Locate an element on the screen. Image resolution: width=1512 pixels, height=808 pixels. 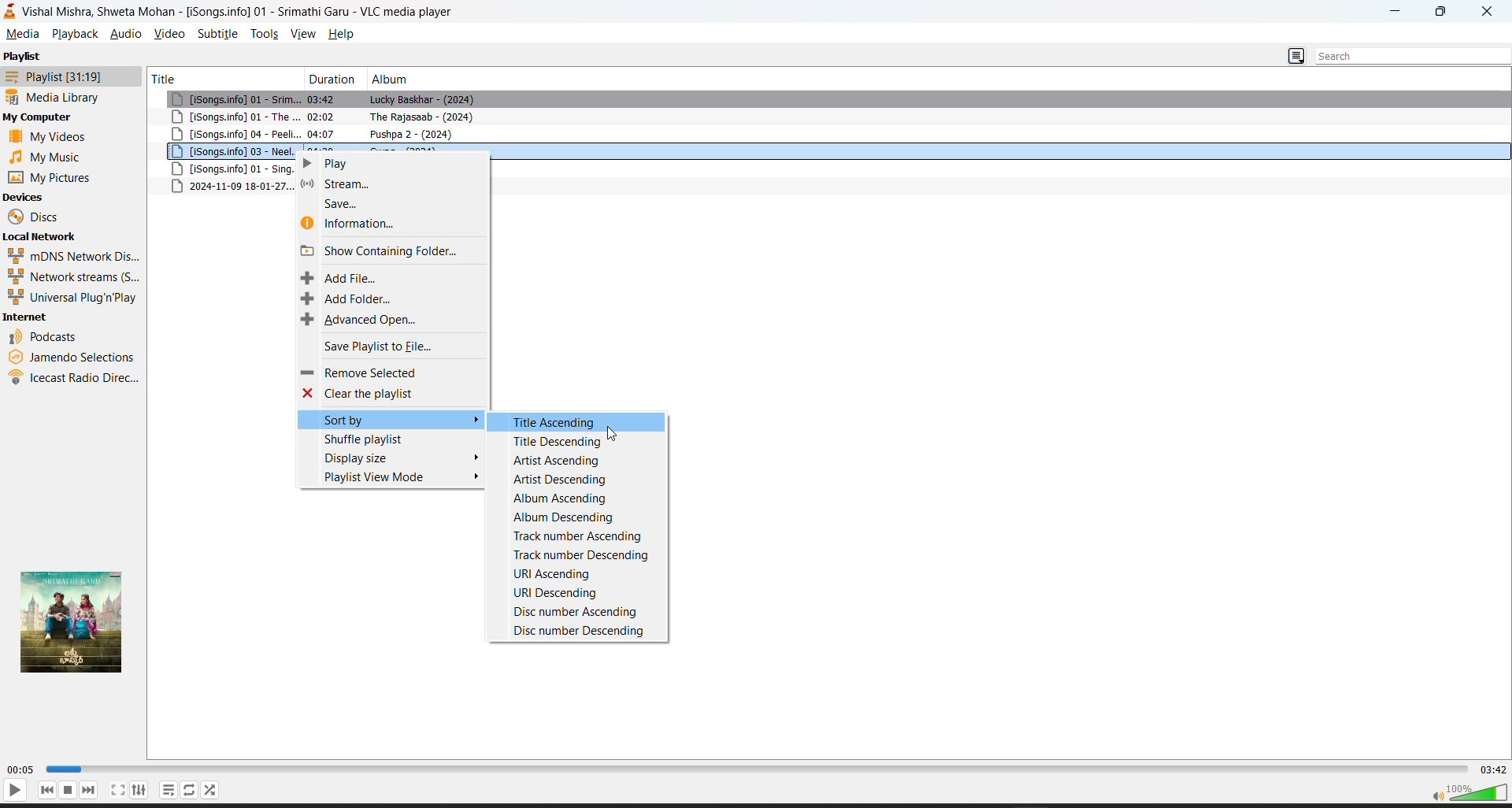
icecast is located at coordinates (74, 380).